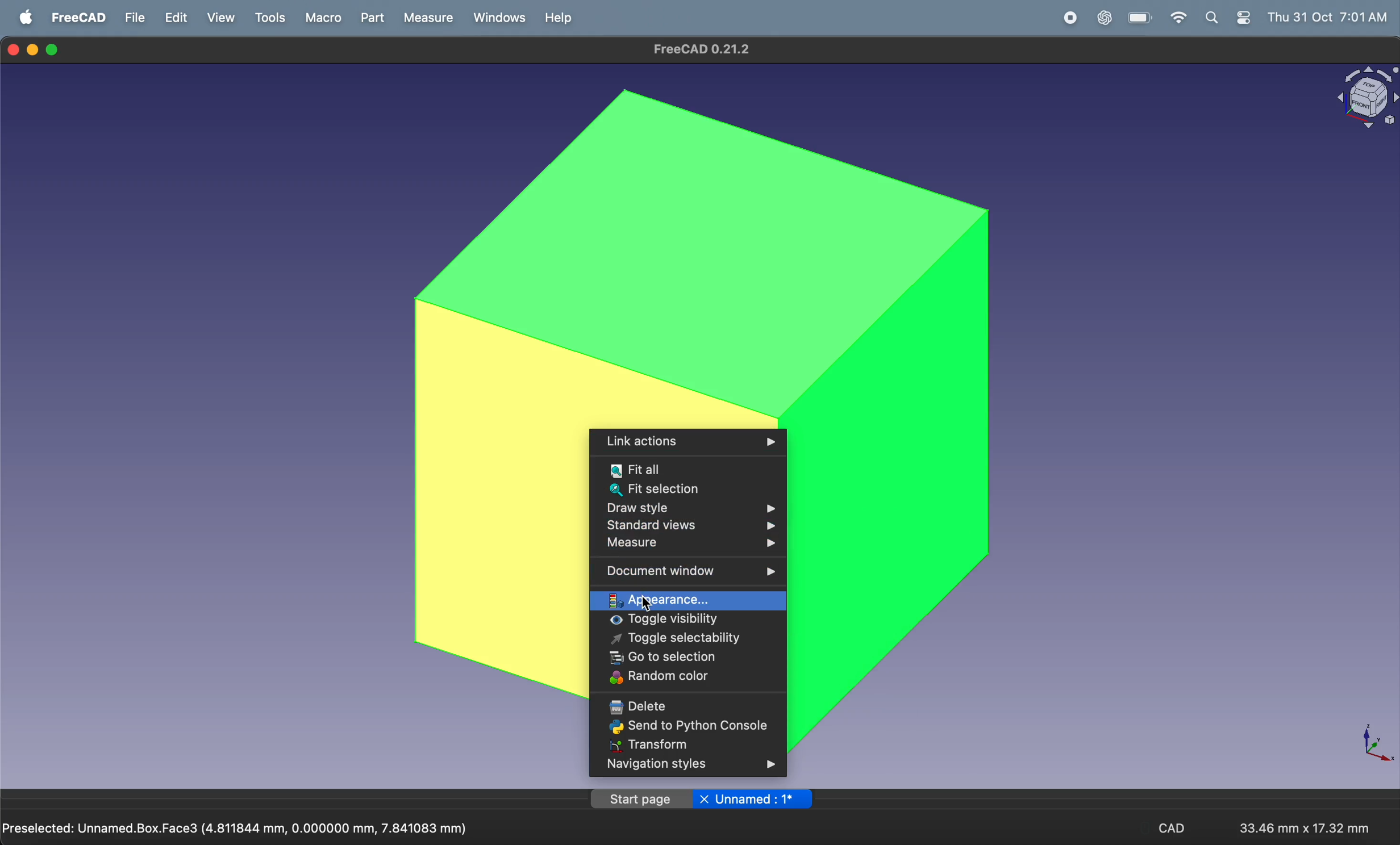 The height and width of the screenshot is (845, 1400). Describe the element at coordinates (687, 659) in the screenshot. I see `Go to section` at that location.